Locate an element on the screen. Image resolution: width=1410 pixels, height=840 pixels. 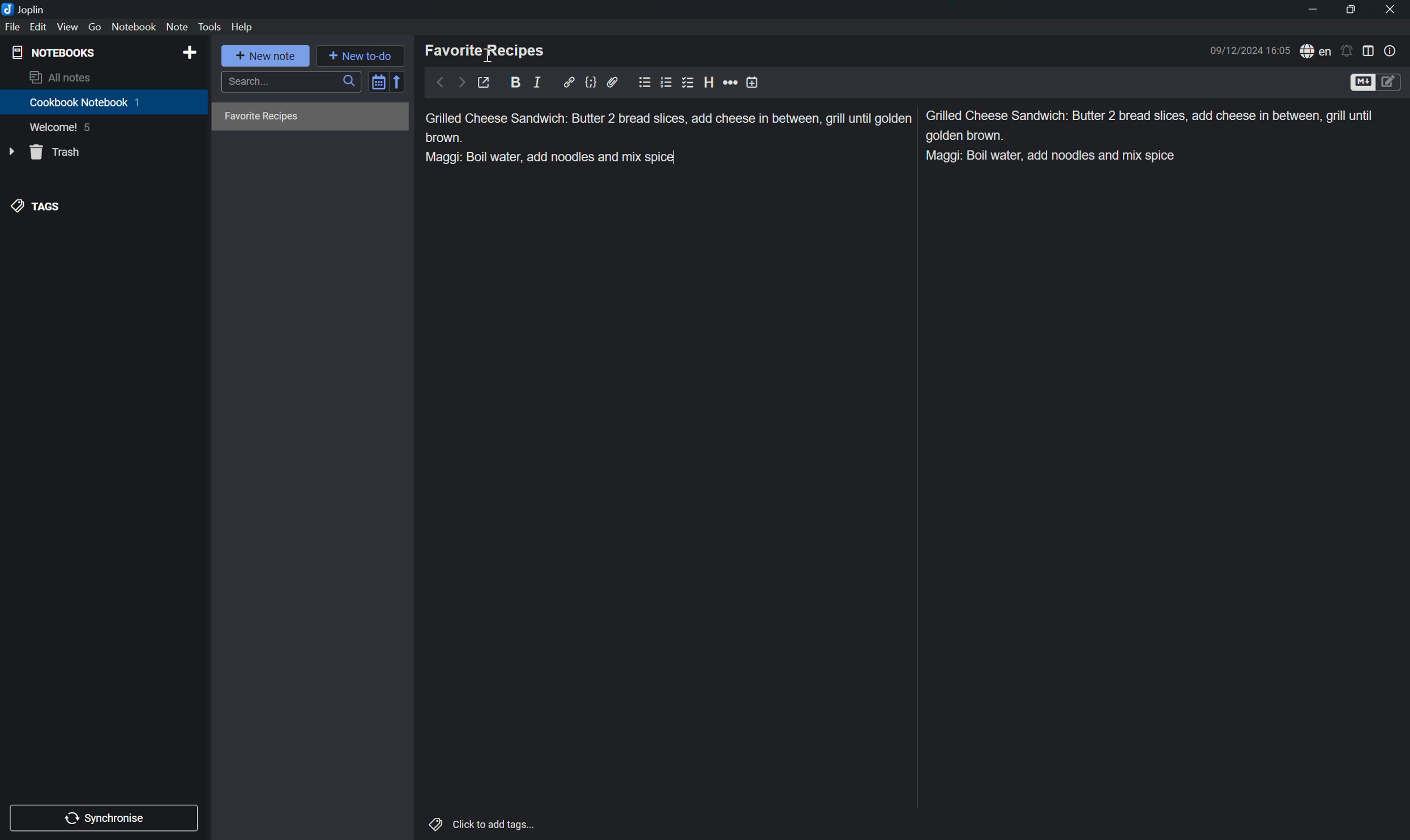
Welcome! 5 is located at coordinates (63, 129).